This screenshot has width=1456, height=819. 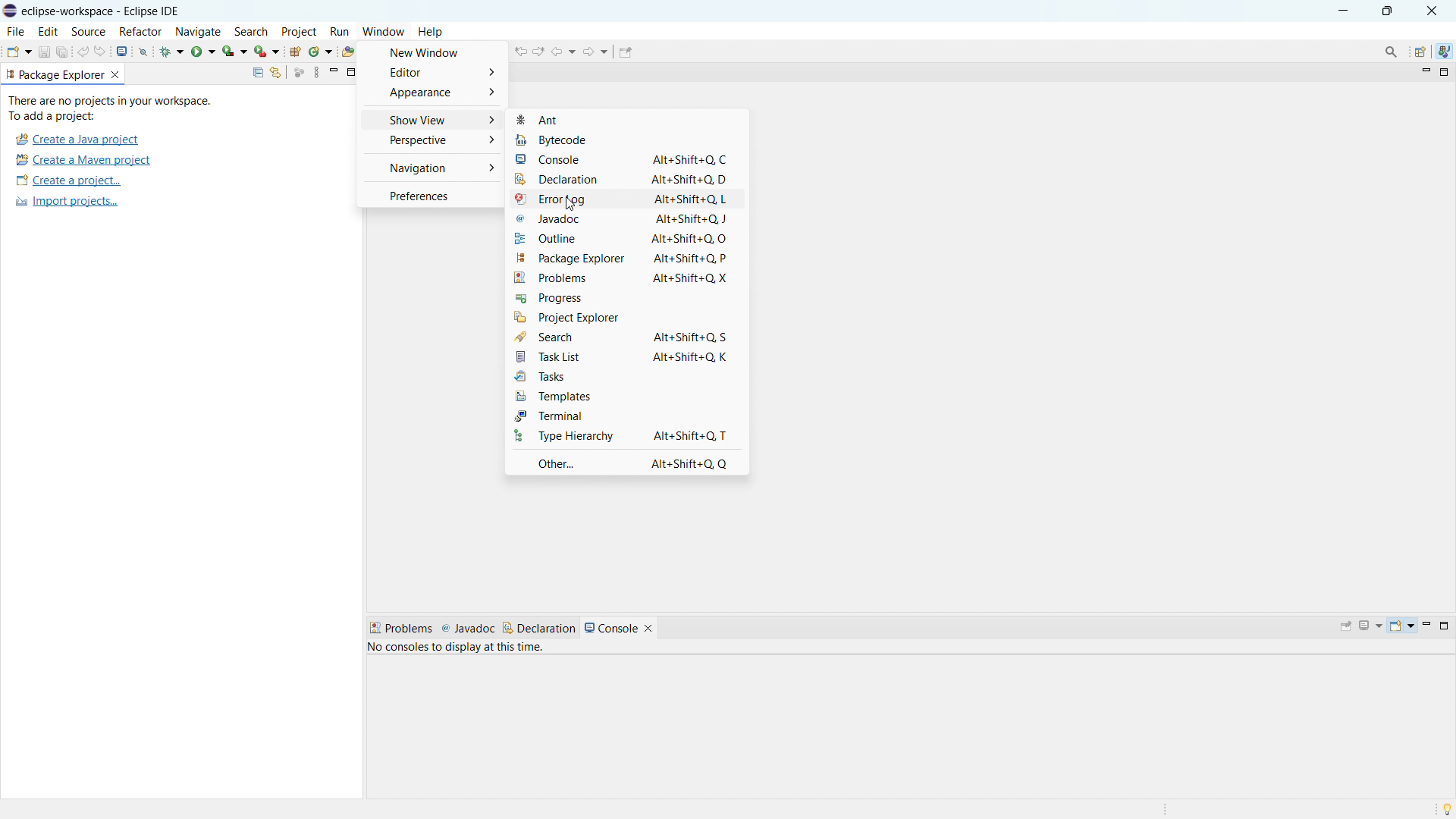 I want to click on next edit location, so click(x=539, y=51).